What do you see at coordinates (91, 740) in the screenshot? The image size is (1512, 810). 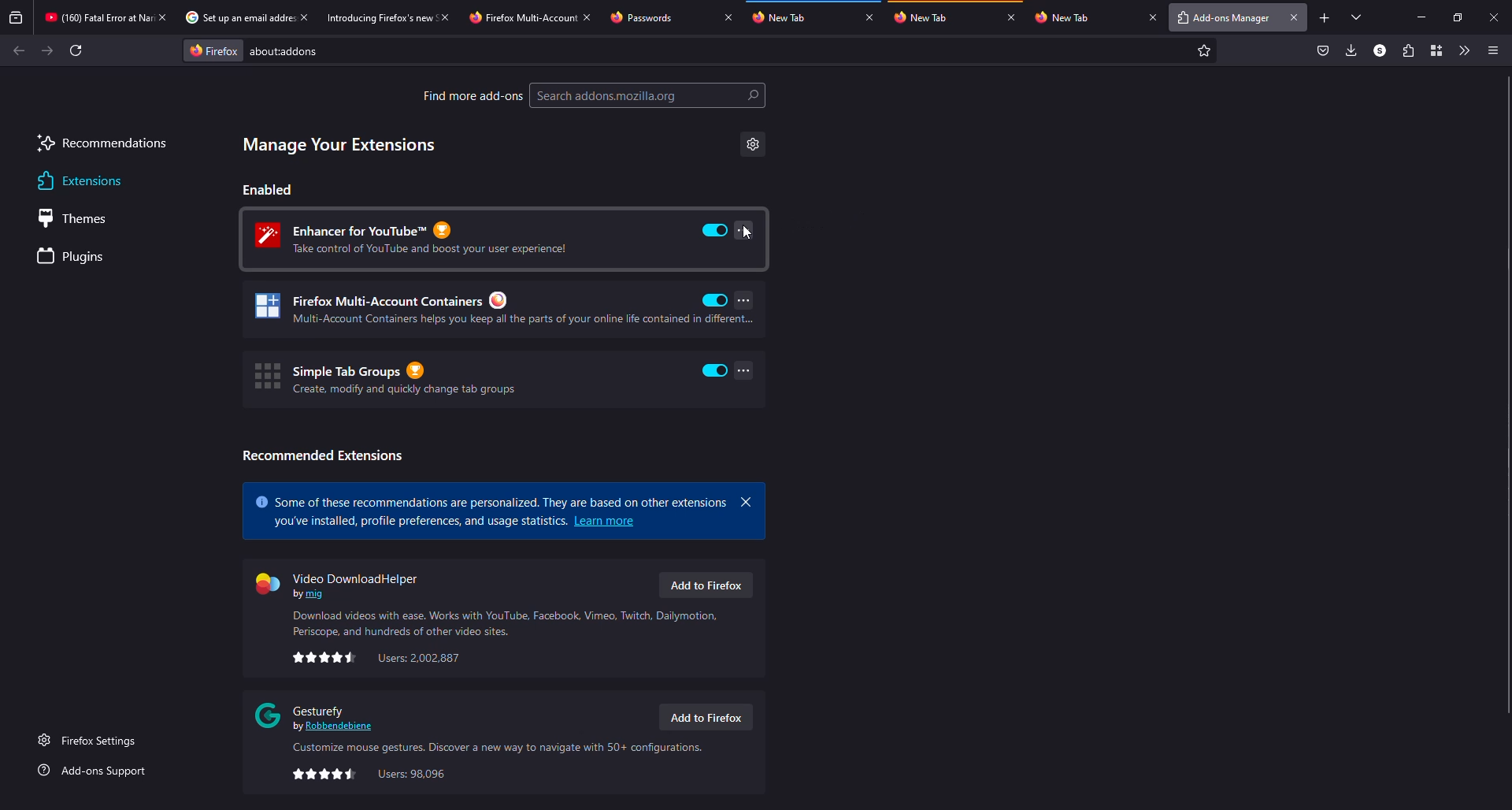 I see `firefox settings` at bounding box center [91, 740].